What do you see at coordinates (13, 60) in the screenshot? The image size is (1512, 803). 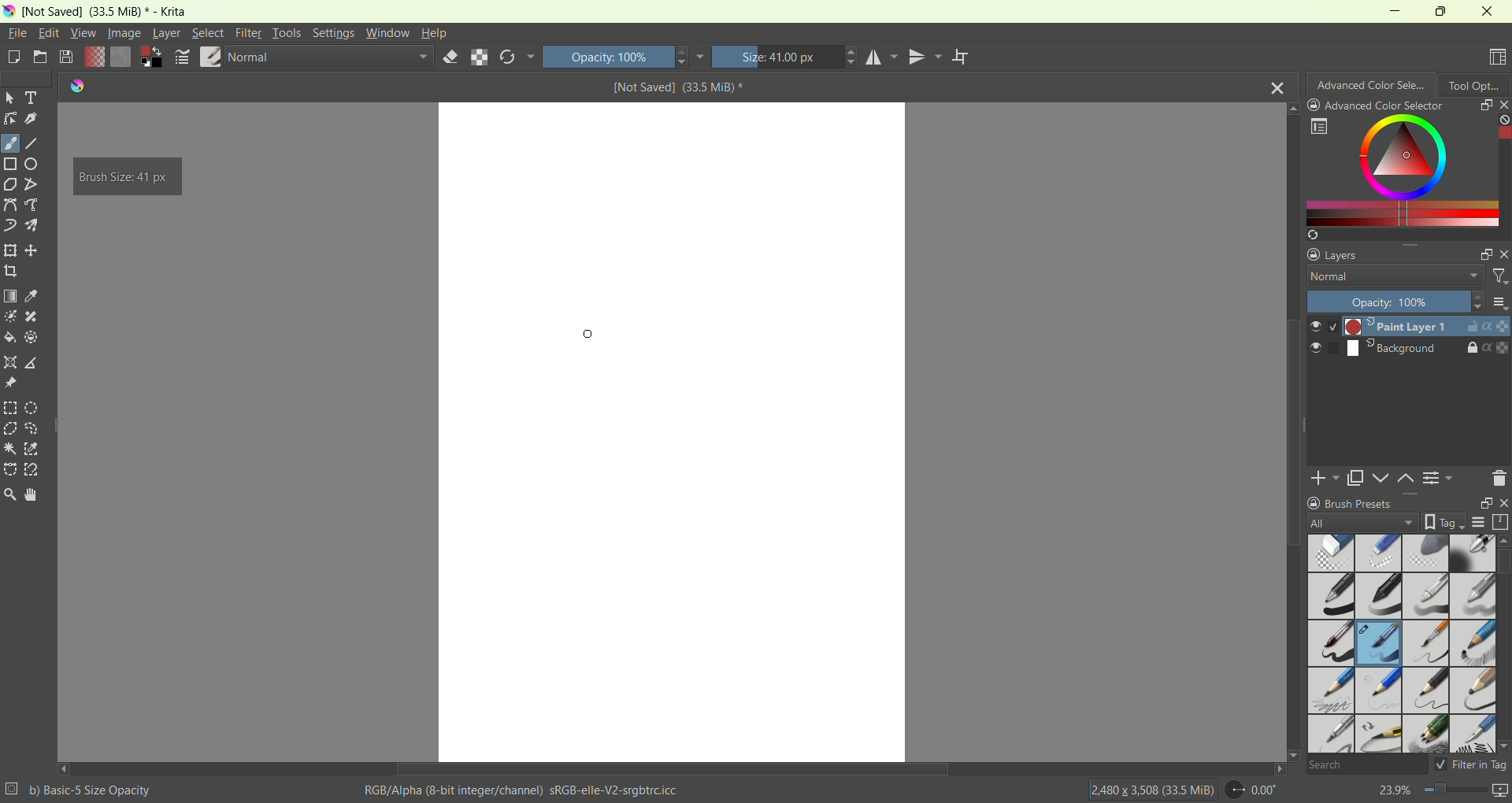 I see `create a new document` at bounding box center [13, 60].